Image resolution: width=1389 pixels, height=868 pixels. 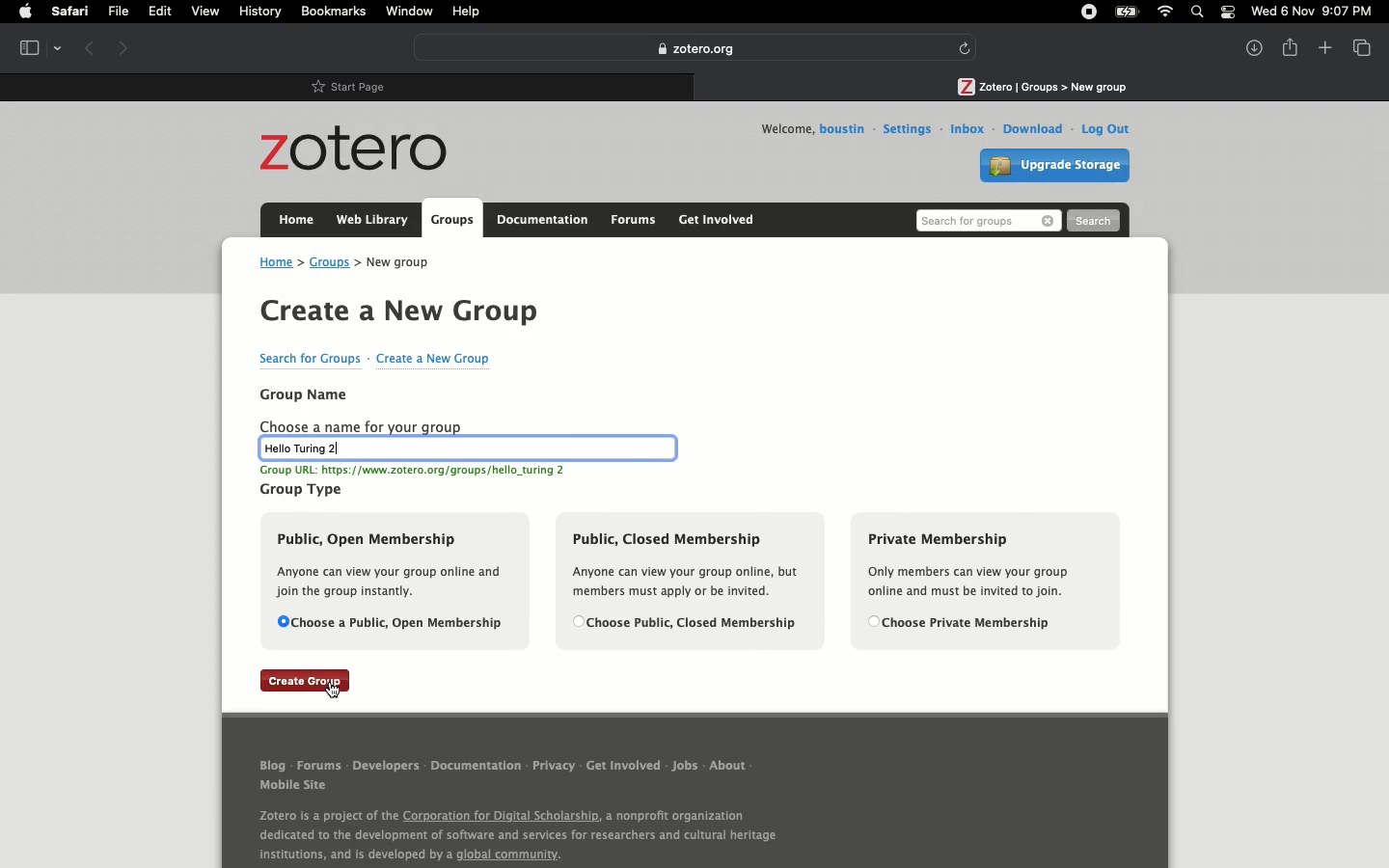 What do you see at coordinates (967, 127) in the screenshot?
I see `Inbox` at bounding box center [967, 127].